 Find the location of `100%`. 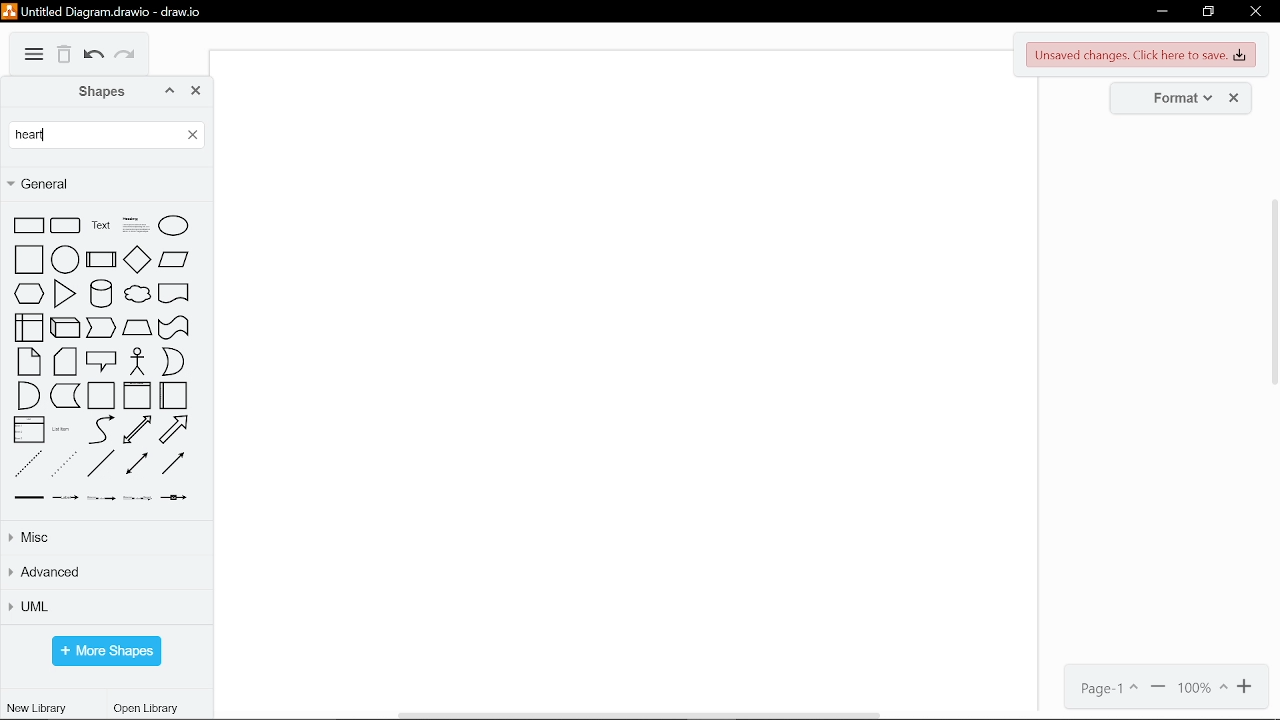

100% is located at coordinates (1203, 688).